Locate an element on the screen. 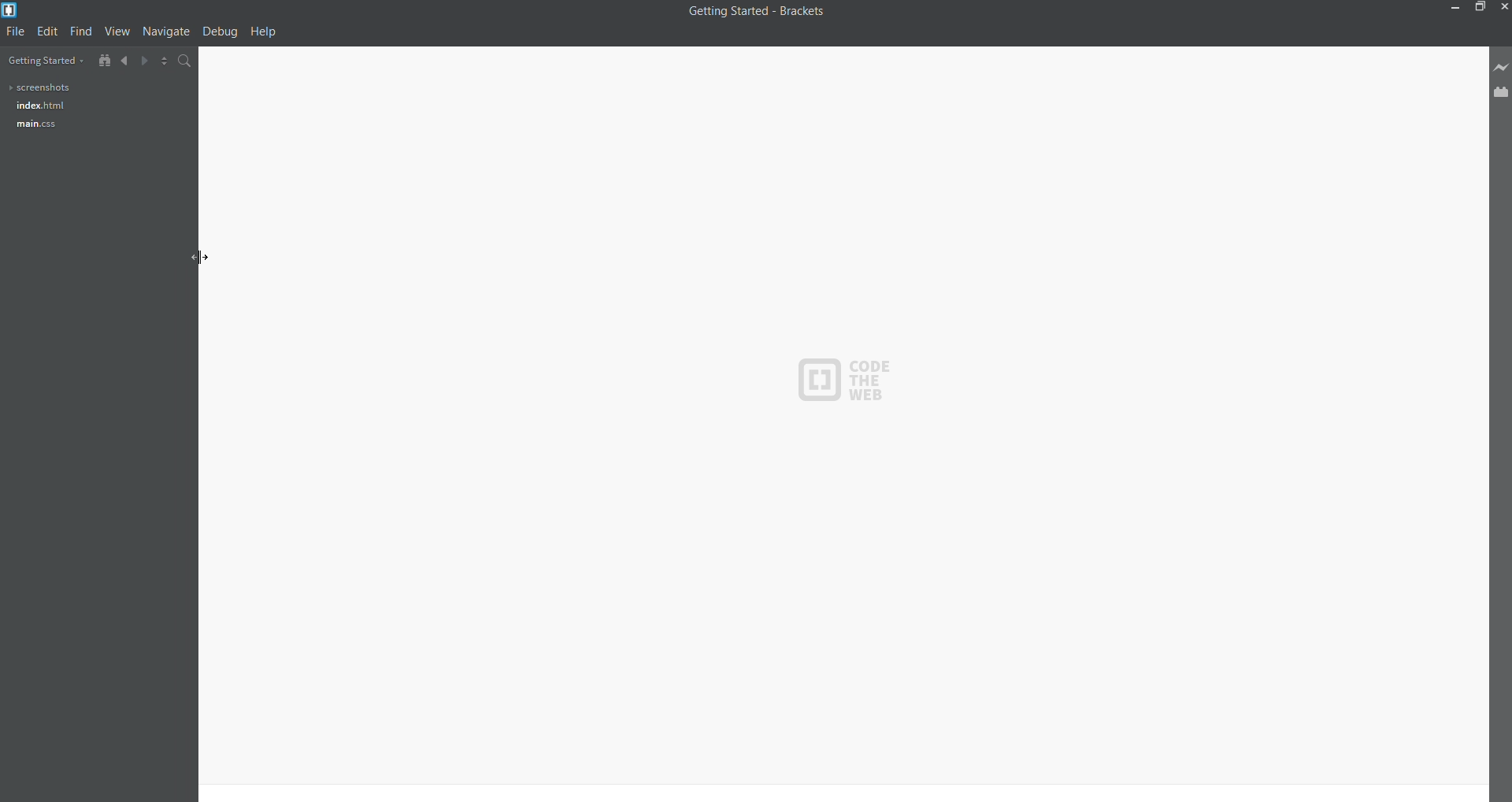 This screenshot has width=1512, height=802. main css is located at coordinates (35, 124).